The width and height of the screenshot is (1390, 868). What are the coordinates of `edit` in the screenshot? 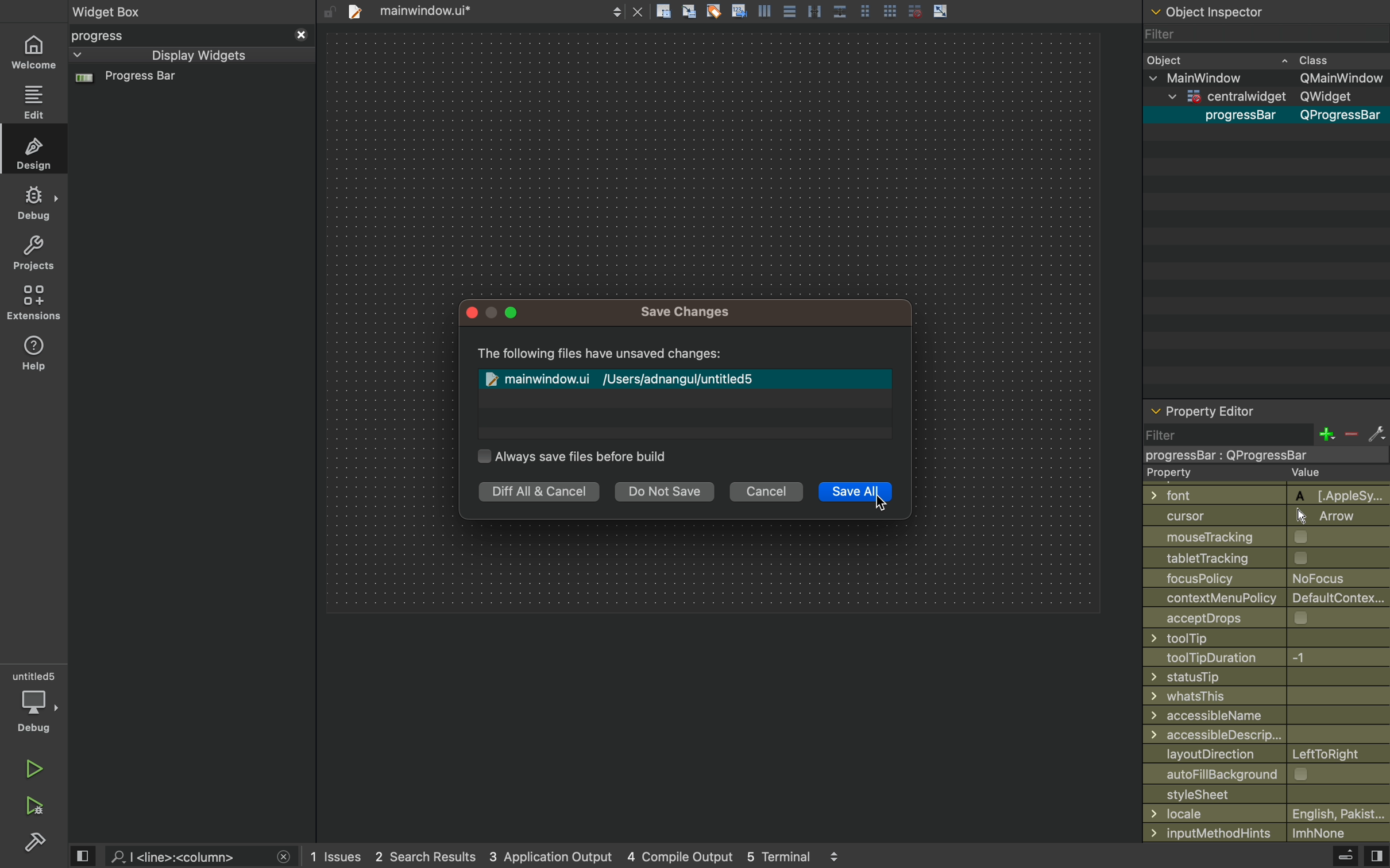 It's located at (36, 152).